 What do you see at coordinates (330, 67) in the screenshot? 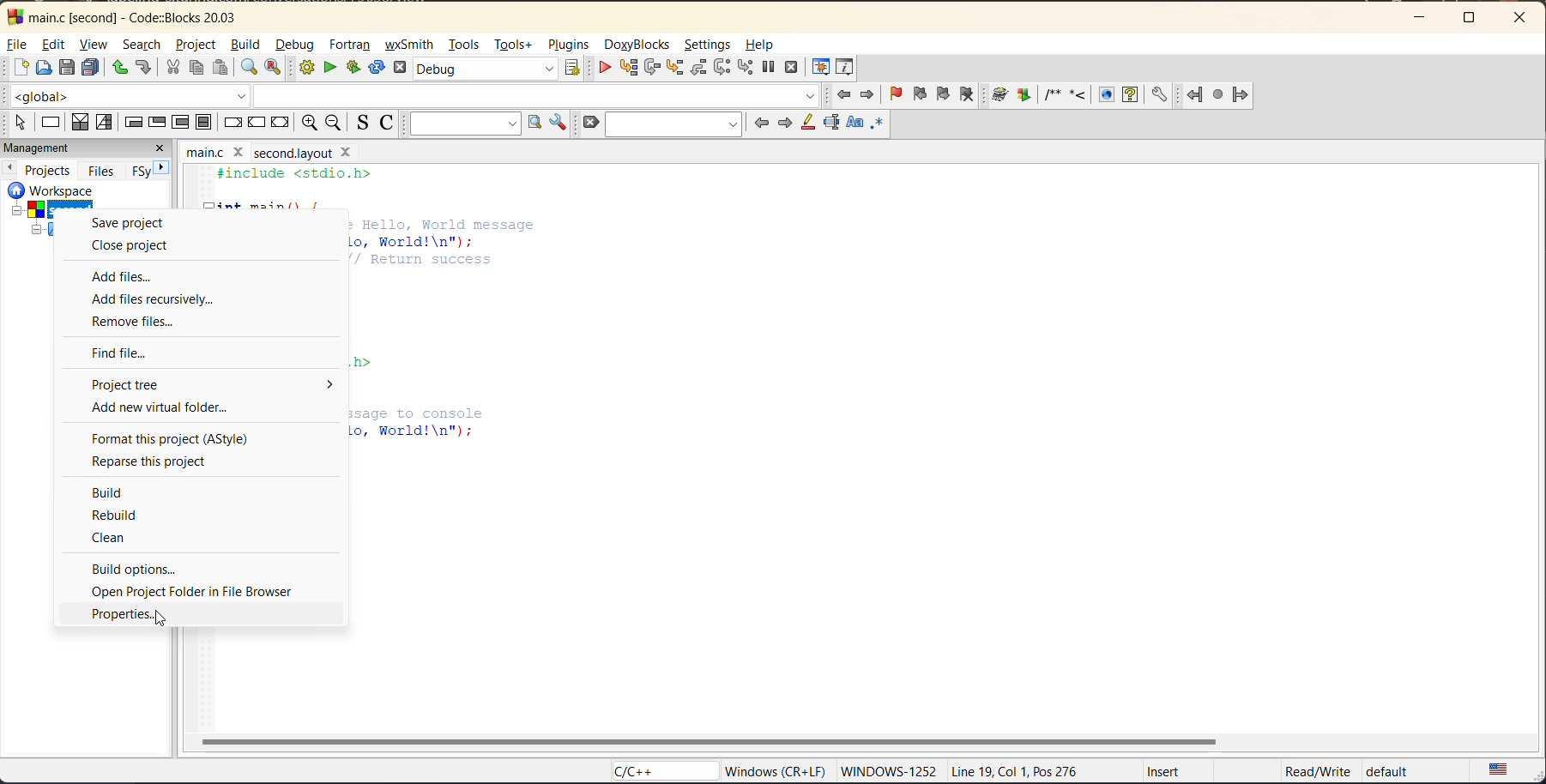
I see `run` at bounding box center [330, 67].